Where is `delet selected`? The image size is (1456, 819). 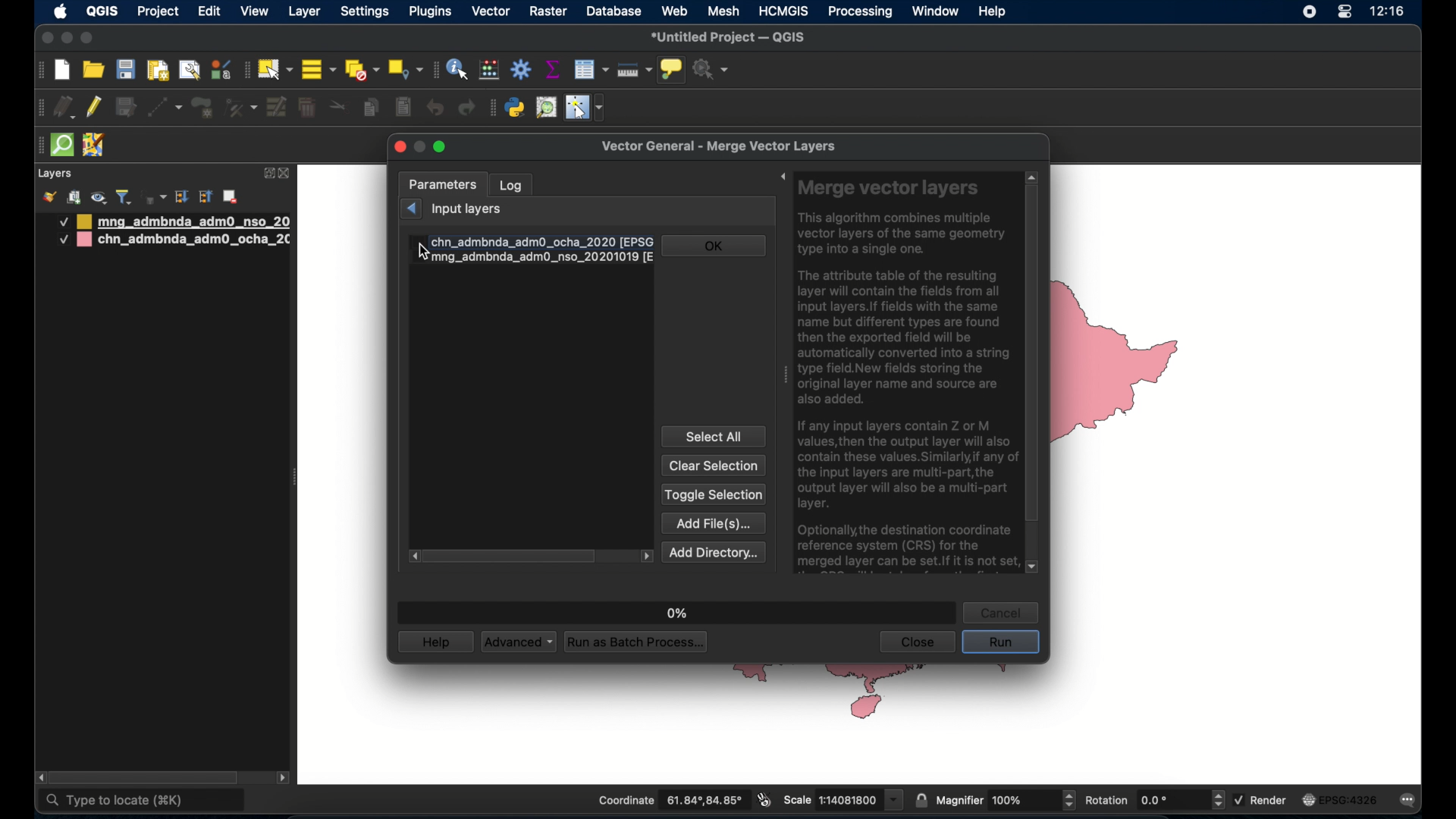 delet selected is located at coordinates (306, 108).